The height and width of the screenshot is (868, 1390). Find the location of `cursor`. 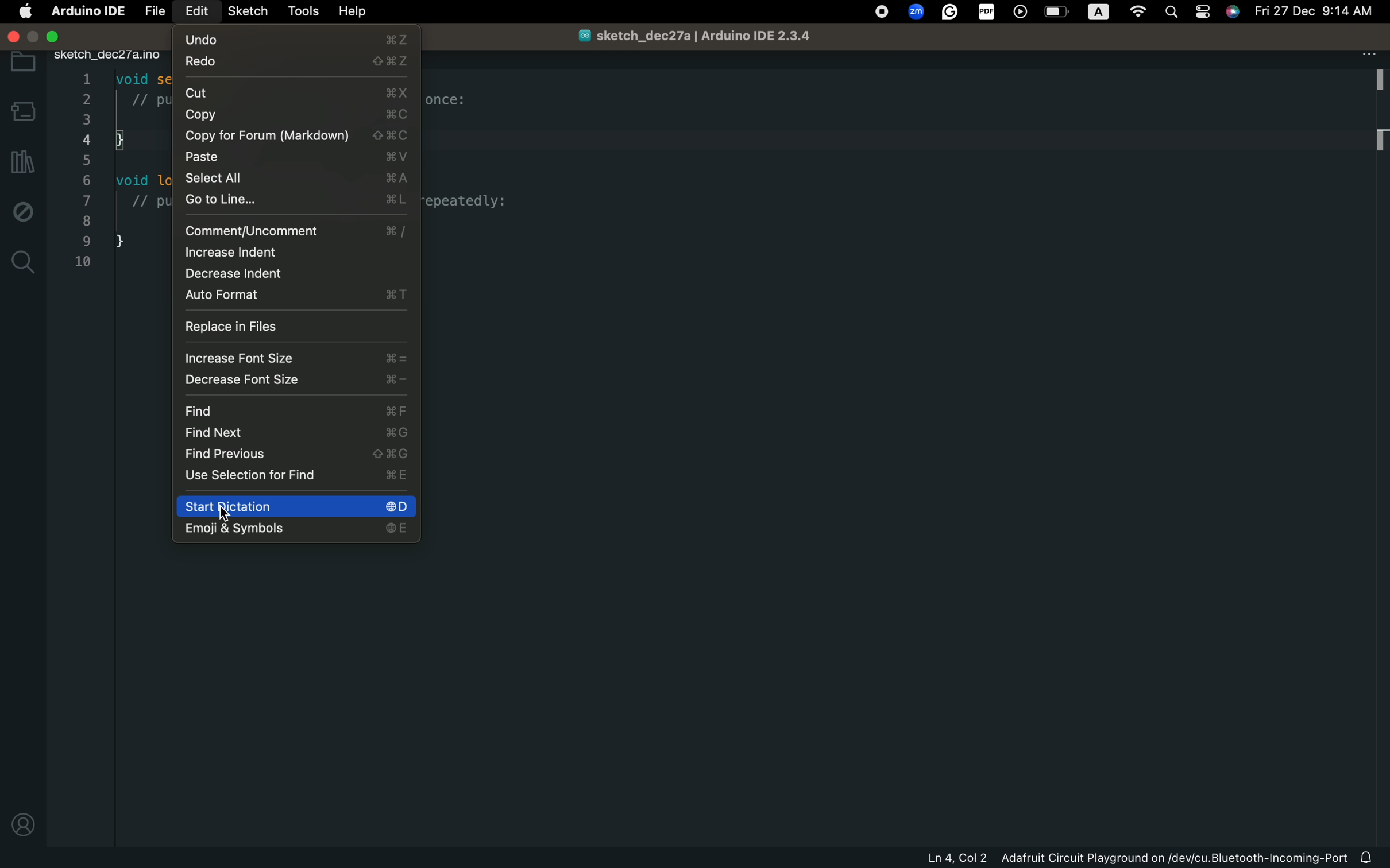

cursor is located at coordinates (227, 516).